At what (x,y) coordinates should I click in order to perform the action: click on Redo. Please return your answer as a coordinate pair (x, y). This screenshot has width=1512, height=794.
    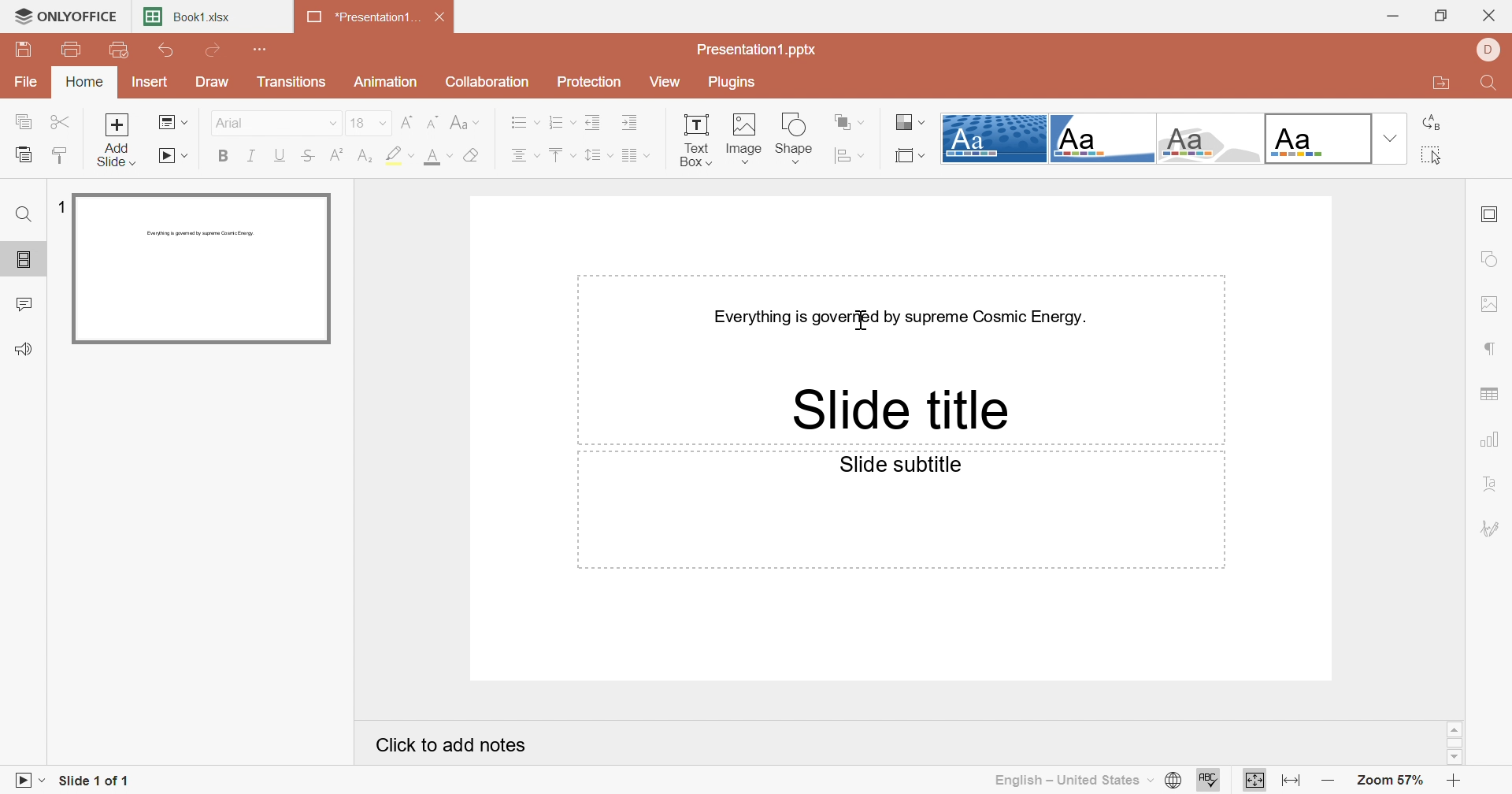
    Looking at the image, I should click on (212, 51).